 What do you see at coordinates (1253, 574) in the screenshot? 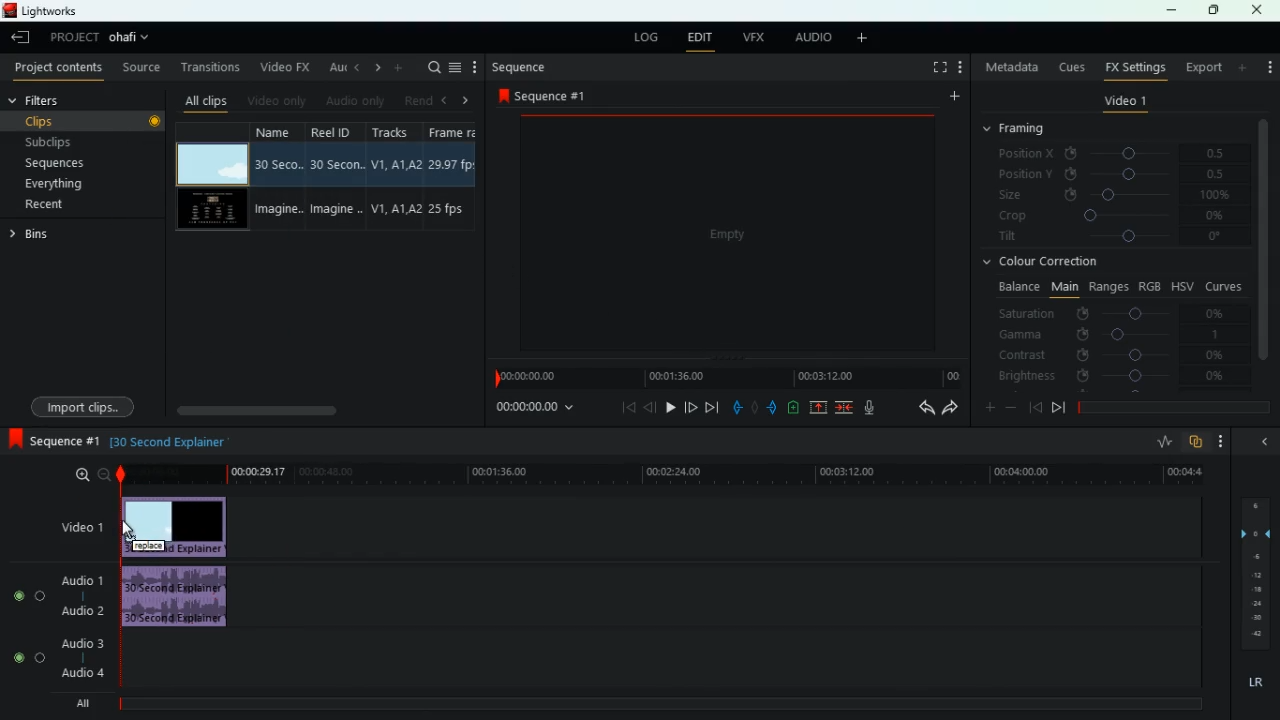
I see `frames` at bounding box center [1253, 574].